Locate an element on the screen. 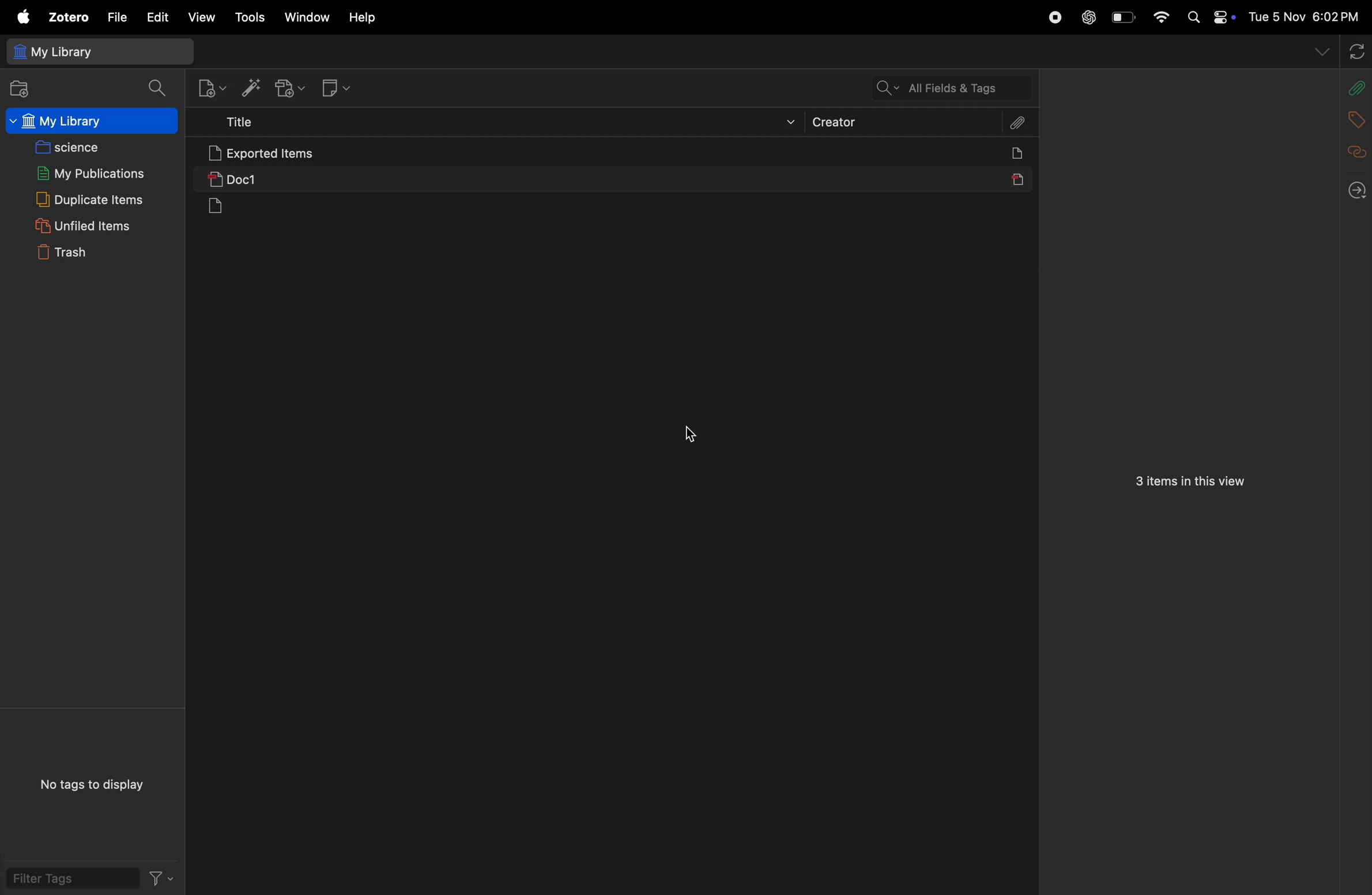  new items is located at coordinates (205, 88).